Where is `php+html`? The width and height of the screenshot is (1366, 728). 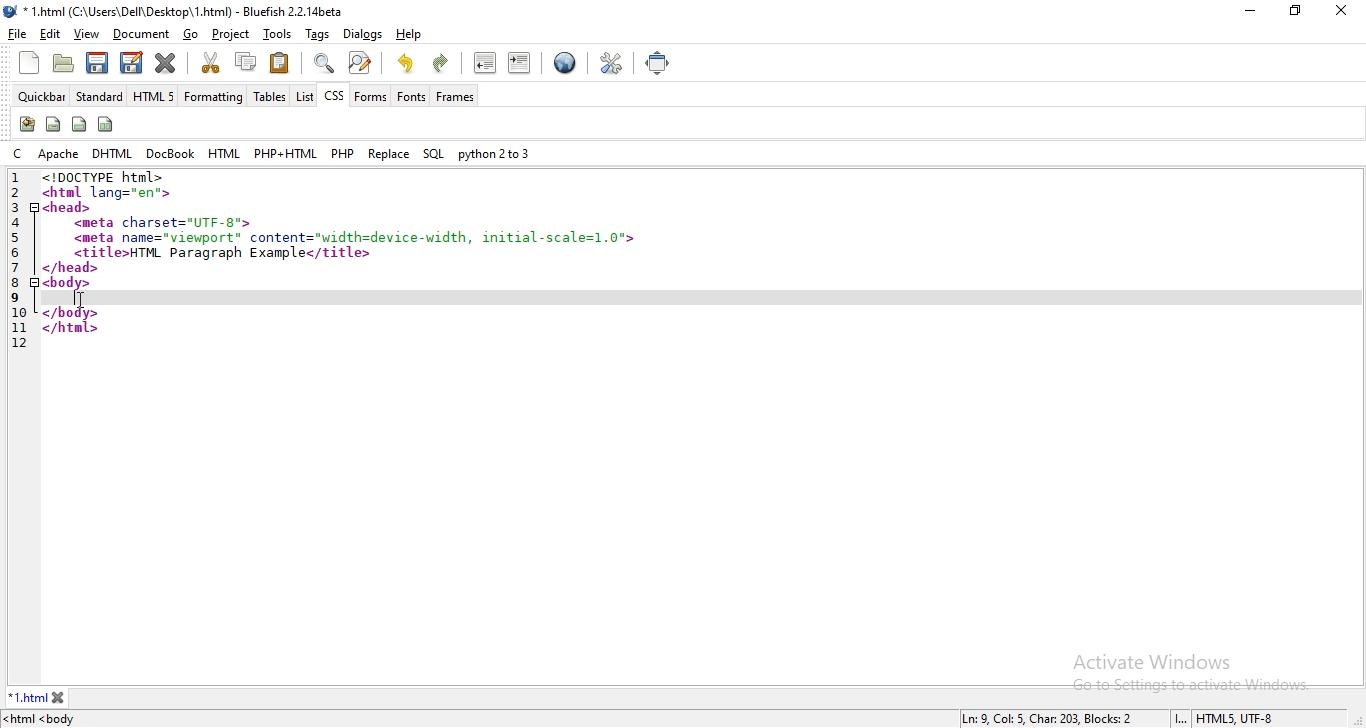 php+html is located at coordinates (284, 152).